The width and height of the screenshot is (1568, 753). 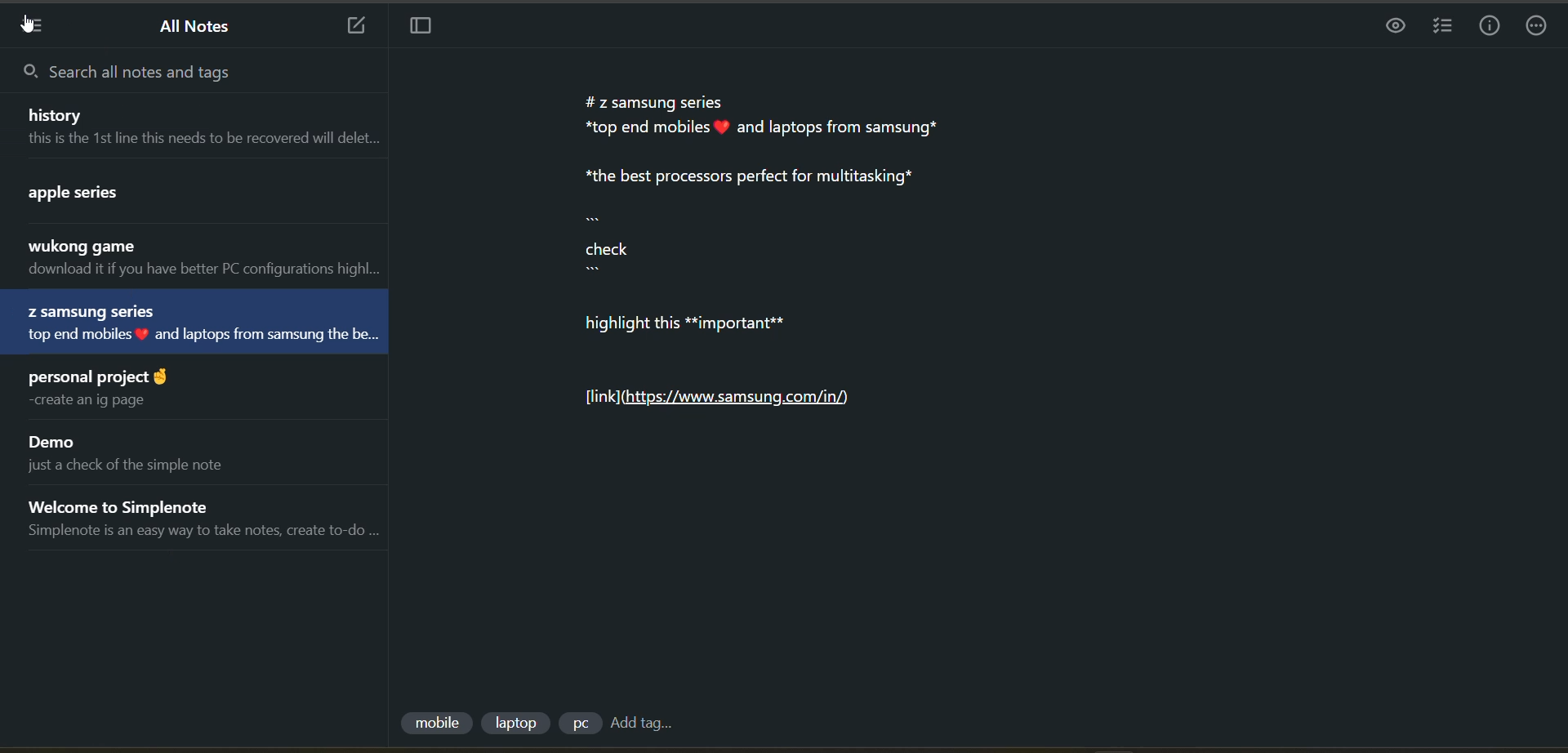 I want to click on info, so click(x=1488, y=27).